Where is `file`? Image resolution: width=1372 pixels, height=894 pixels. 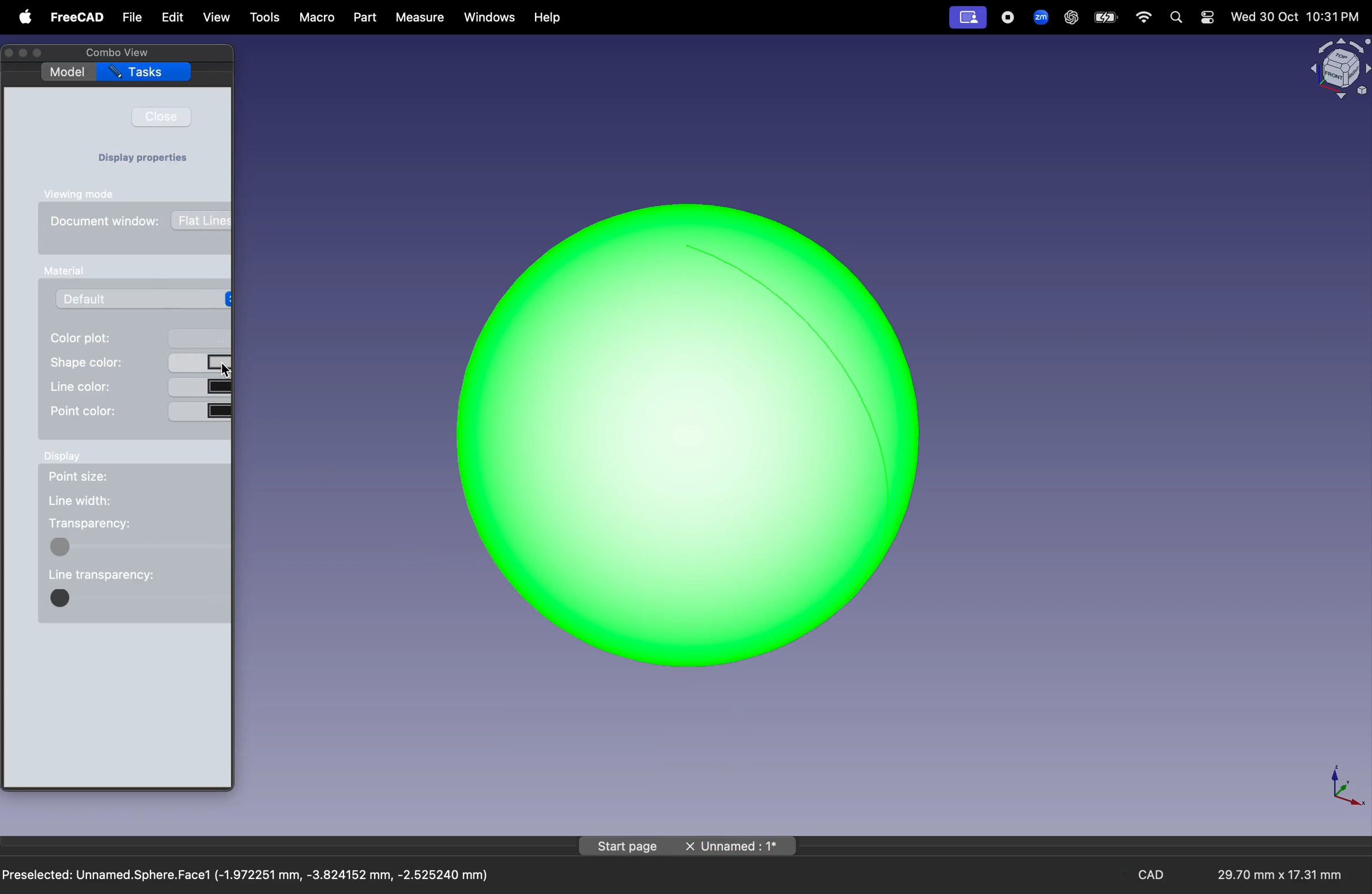 file is located at coordinates (133, 18).